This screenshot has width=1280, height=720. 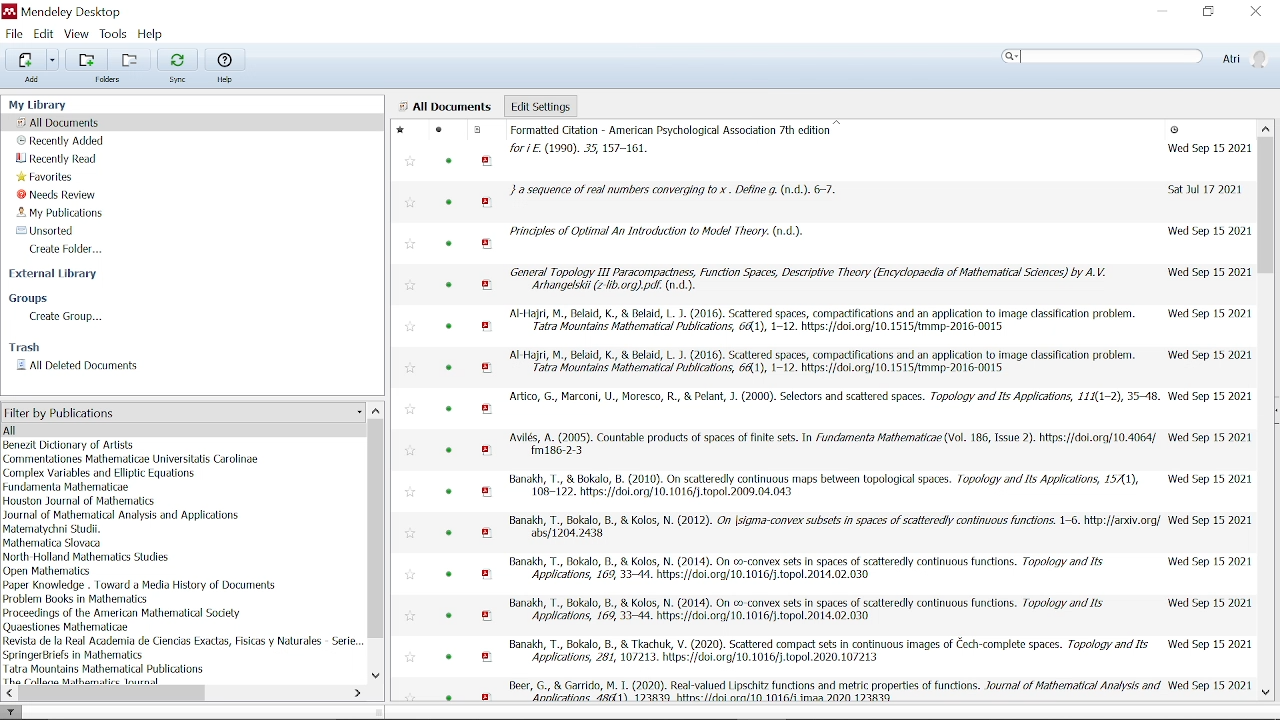 What do you see at coordinates (53, 60) in the screenshot?
I see `Add files options` at bounding box center [53, 60].